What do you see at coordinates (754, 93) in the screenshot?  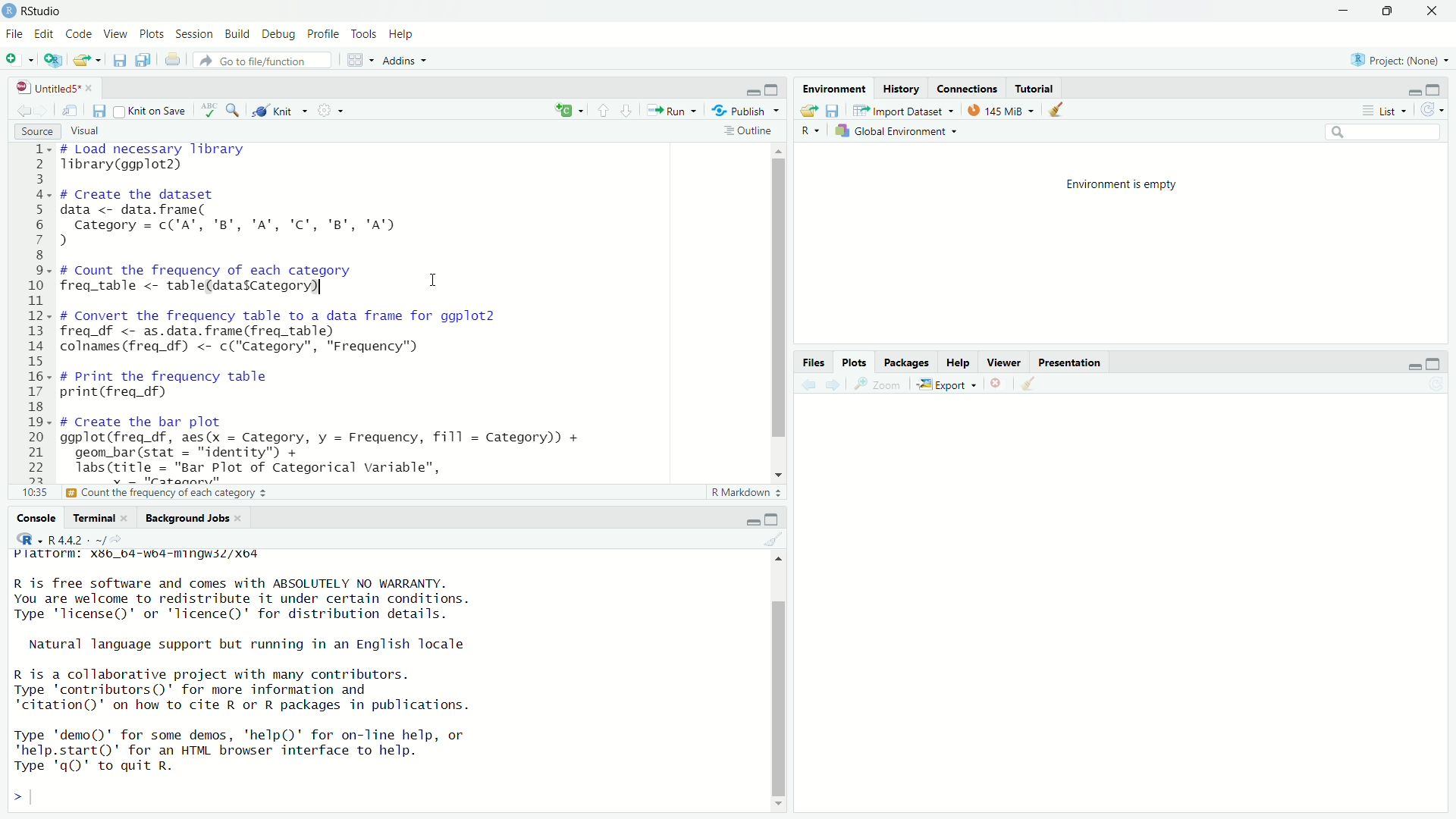 I see `minimize` at bounding box center [754, 93].